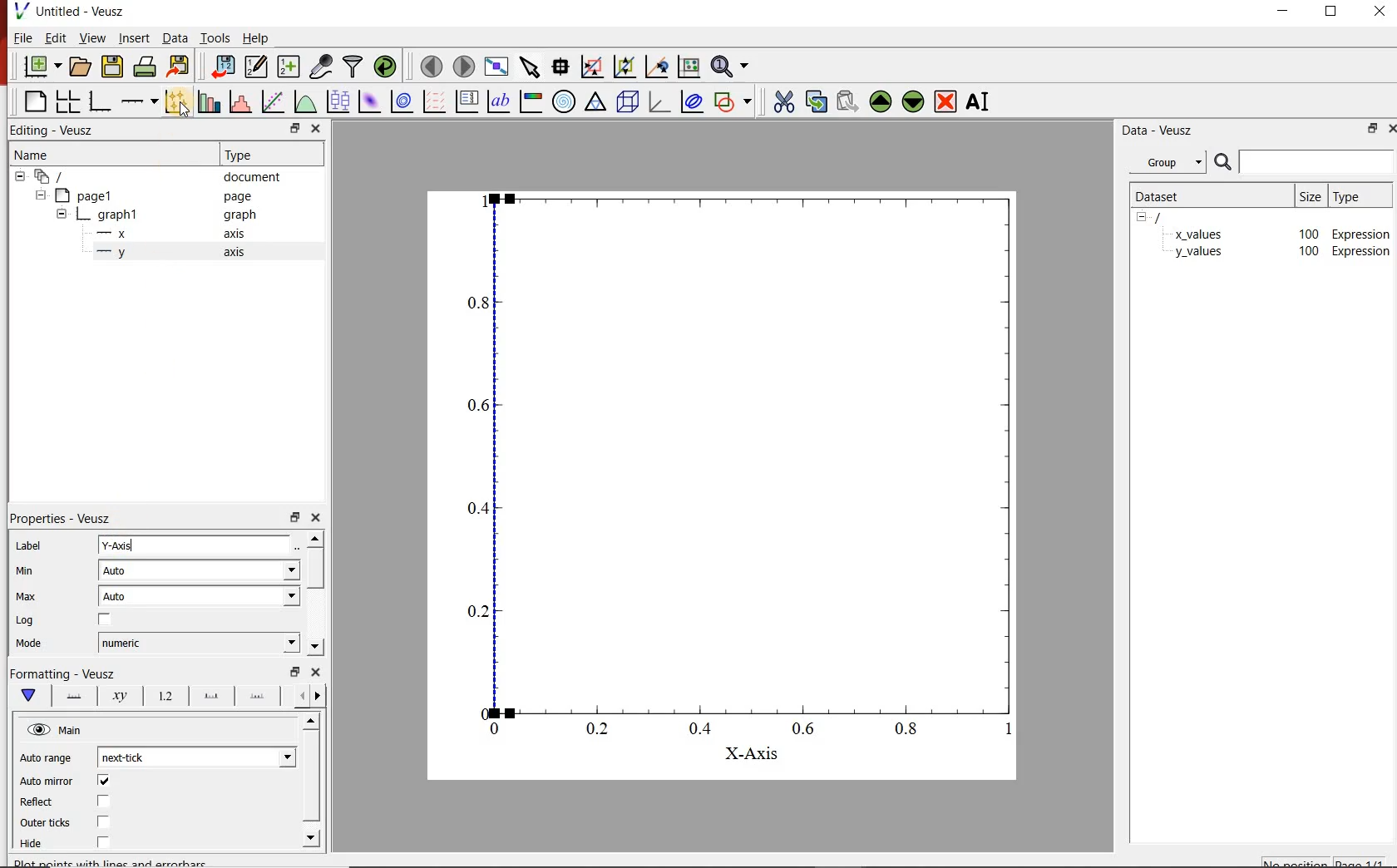  I want to click on major ticks, so click(212, 696).